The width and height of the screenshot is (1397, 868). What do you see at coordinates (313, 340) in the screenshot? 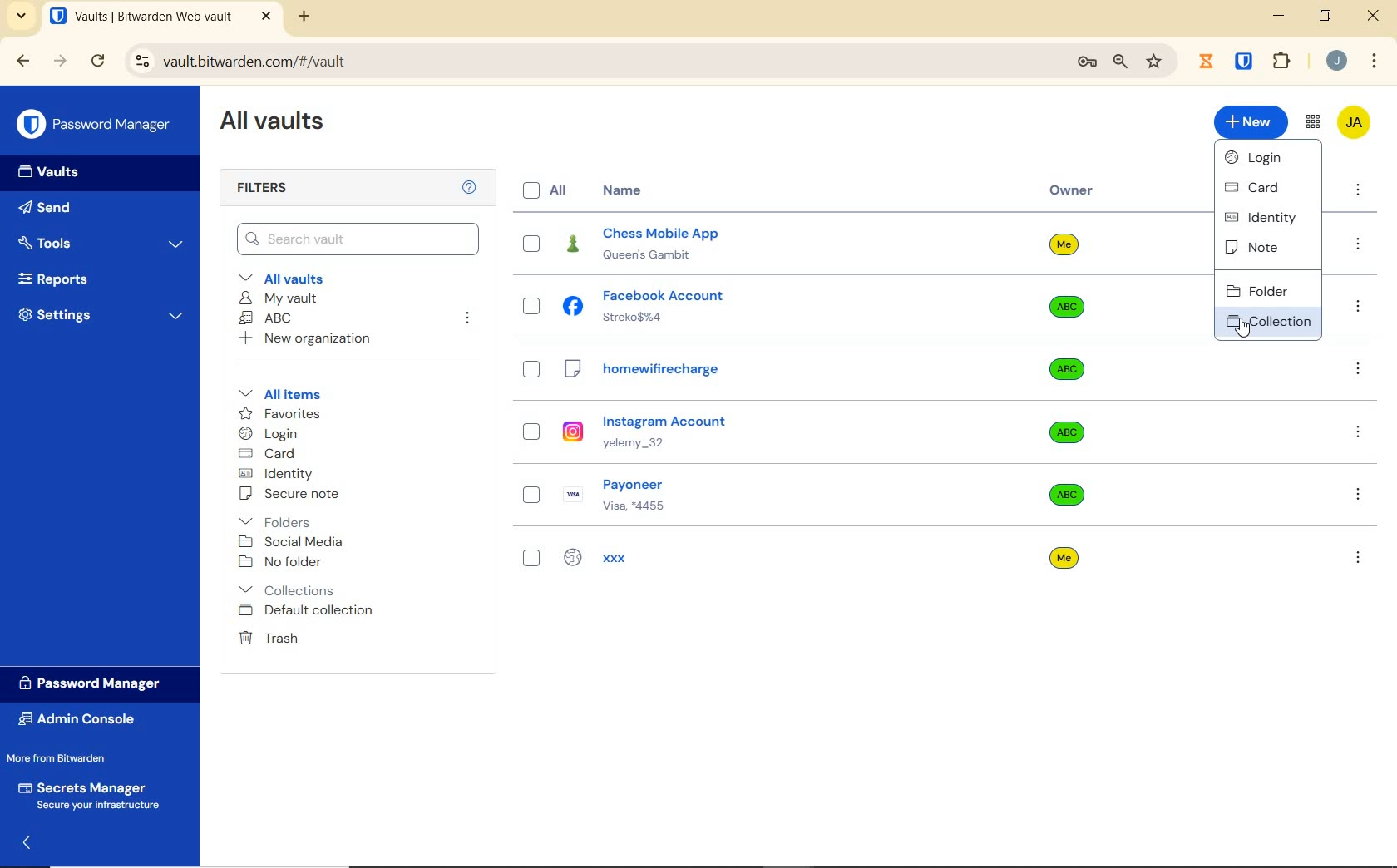
I see `New organization` at bounding box center [313, 340].